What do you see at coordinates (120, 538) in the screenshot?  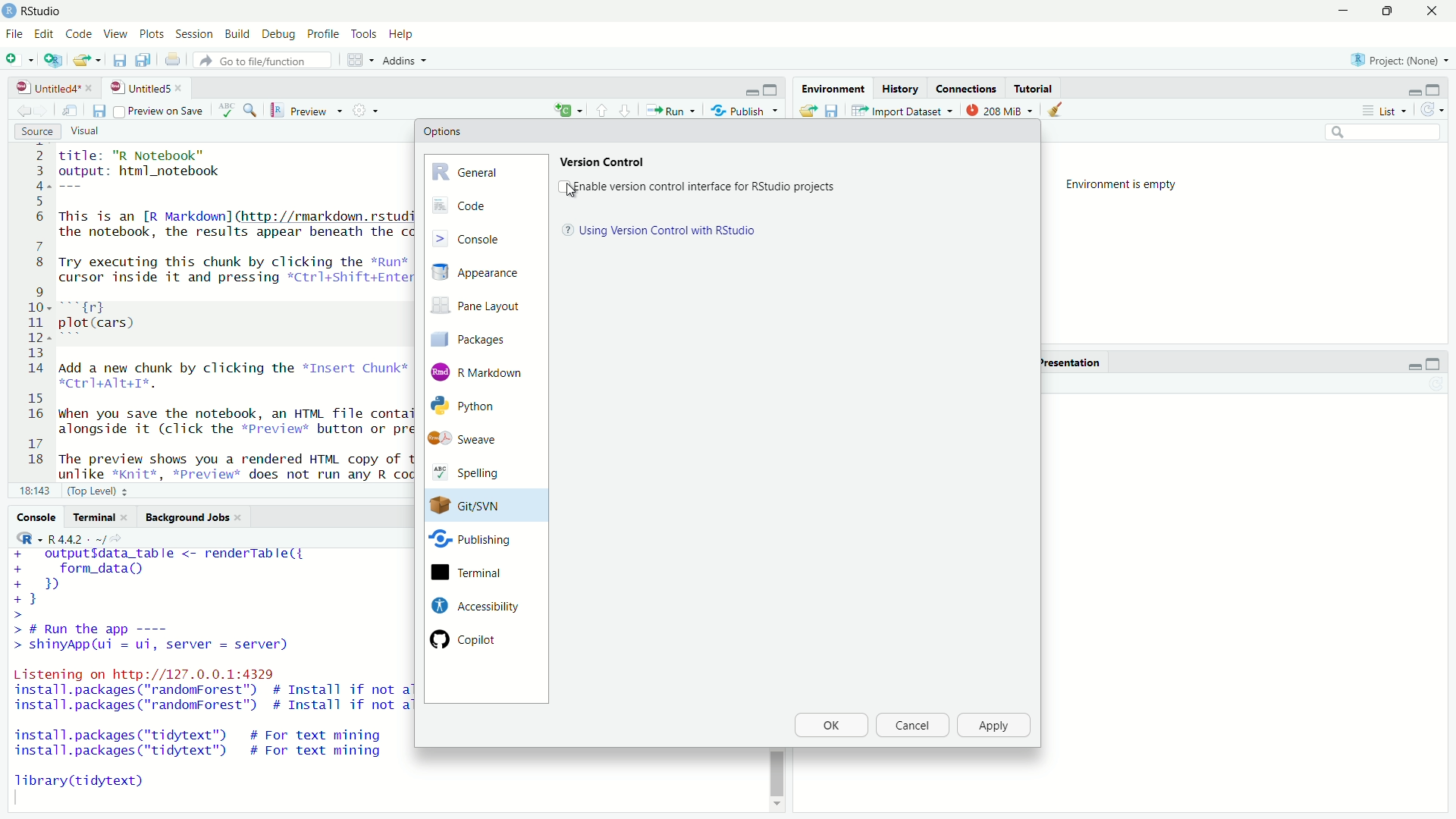 I see `view current working directory` at bounding box center [120, 538].